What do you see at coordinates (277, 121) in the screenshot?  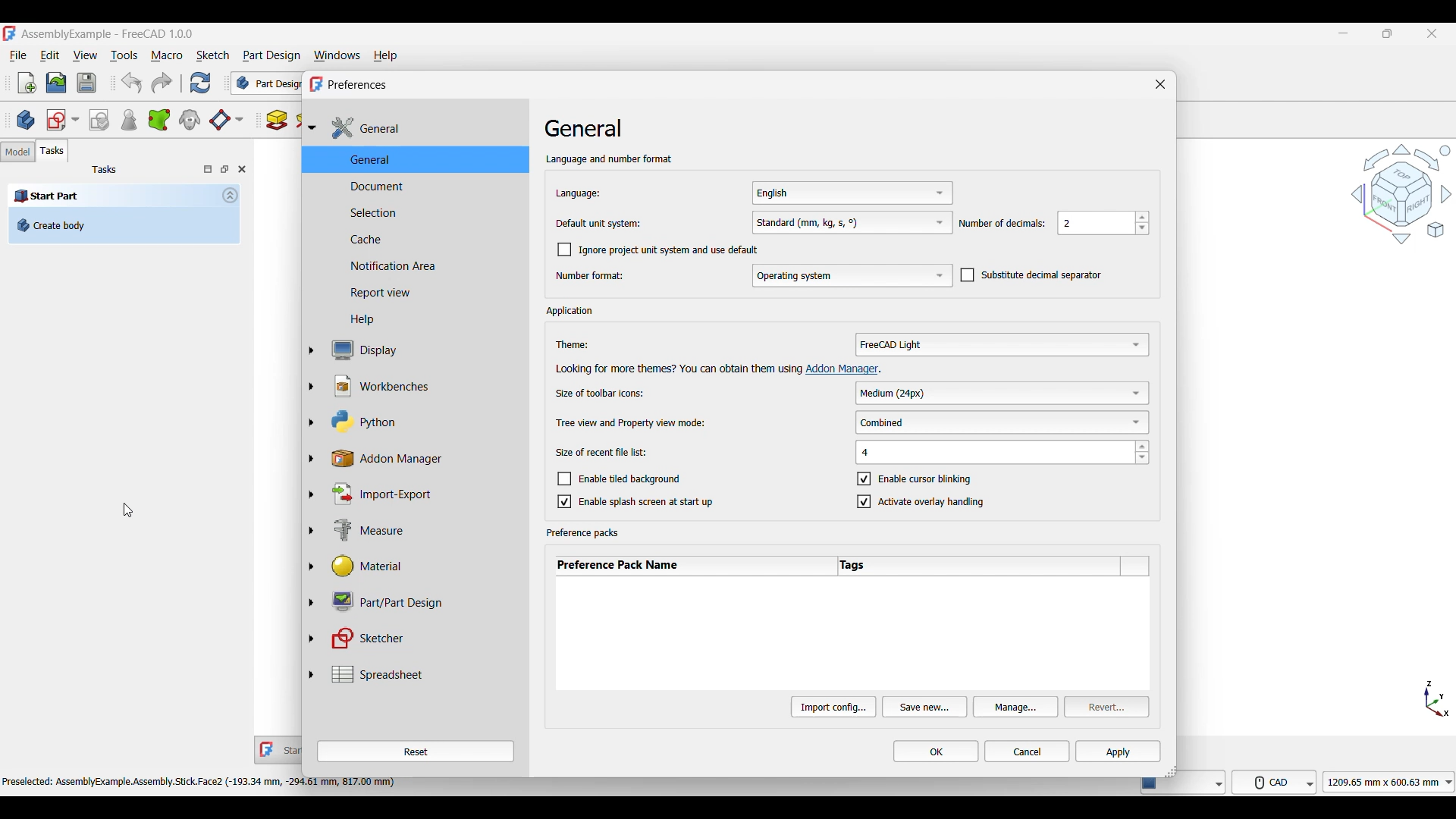 I see `Pad` at bounding box center [277, 121].